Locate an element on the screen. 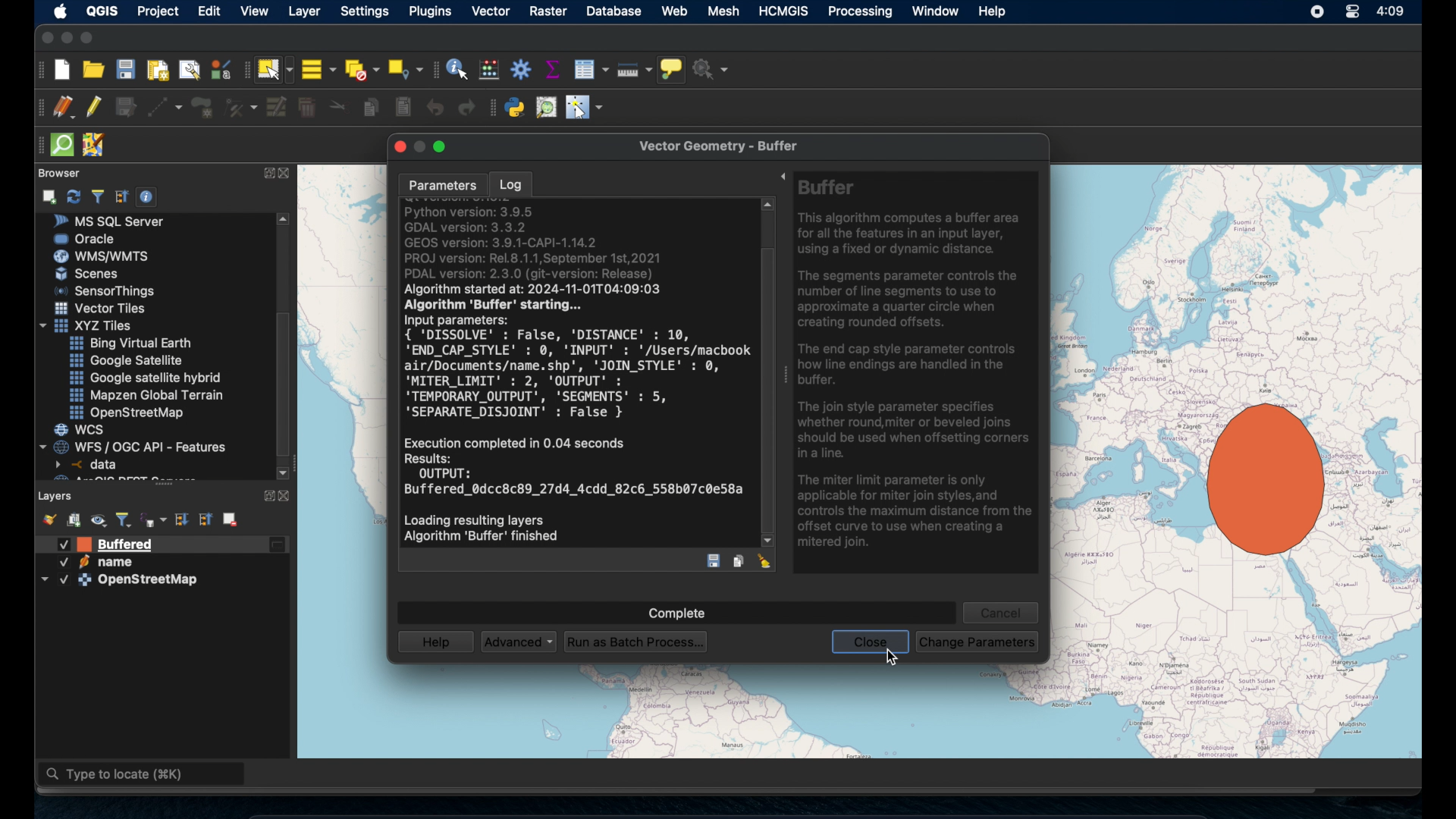  help is located at coordinates (993, 11).